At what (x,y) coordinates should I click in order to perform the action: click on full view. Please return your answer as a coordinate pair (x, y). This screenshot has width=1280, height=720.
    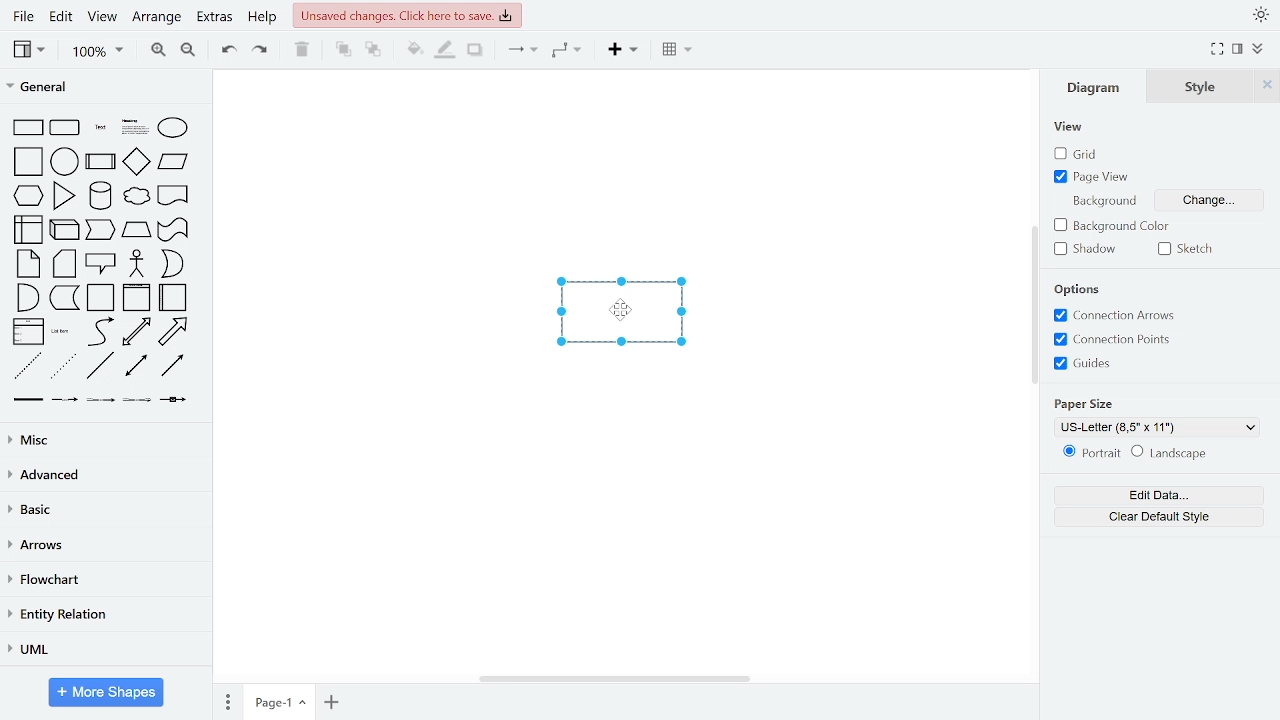
    Looking at the image, I should click on (1217, 50).